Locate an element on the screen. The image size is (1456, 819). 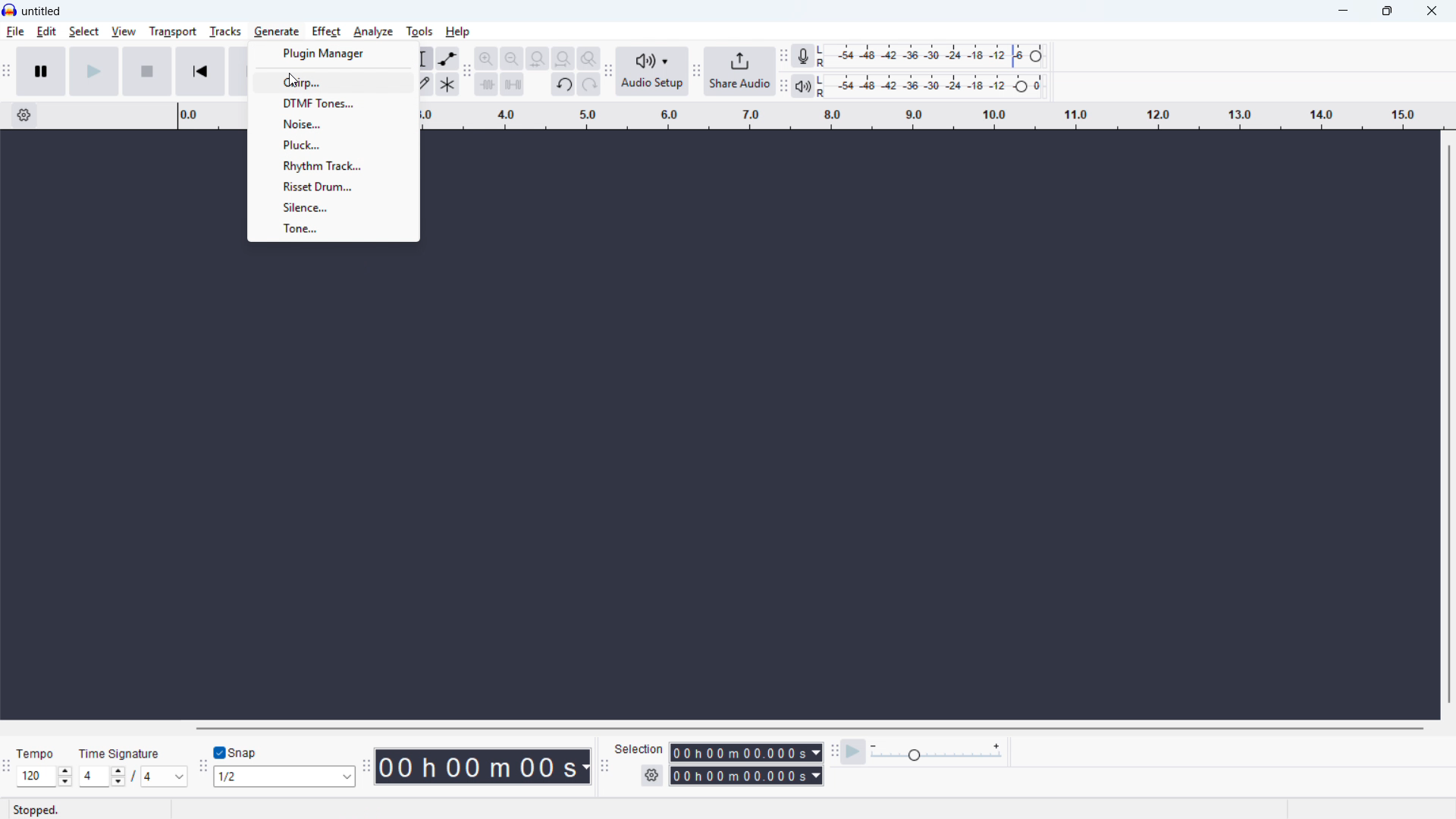
Silence audio selection  is located at coordinates (512, 83).